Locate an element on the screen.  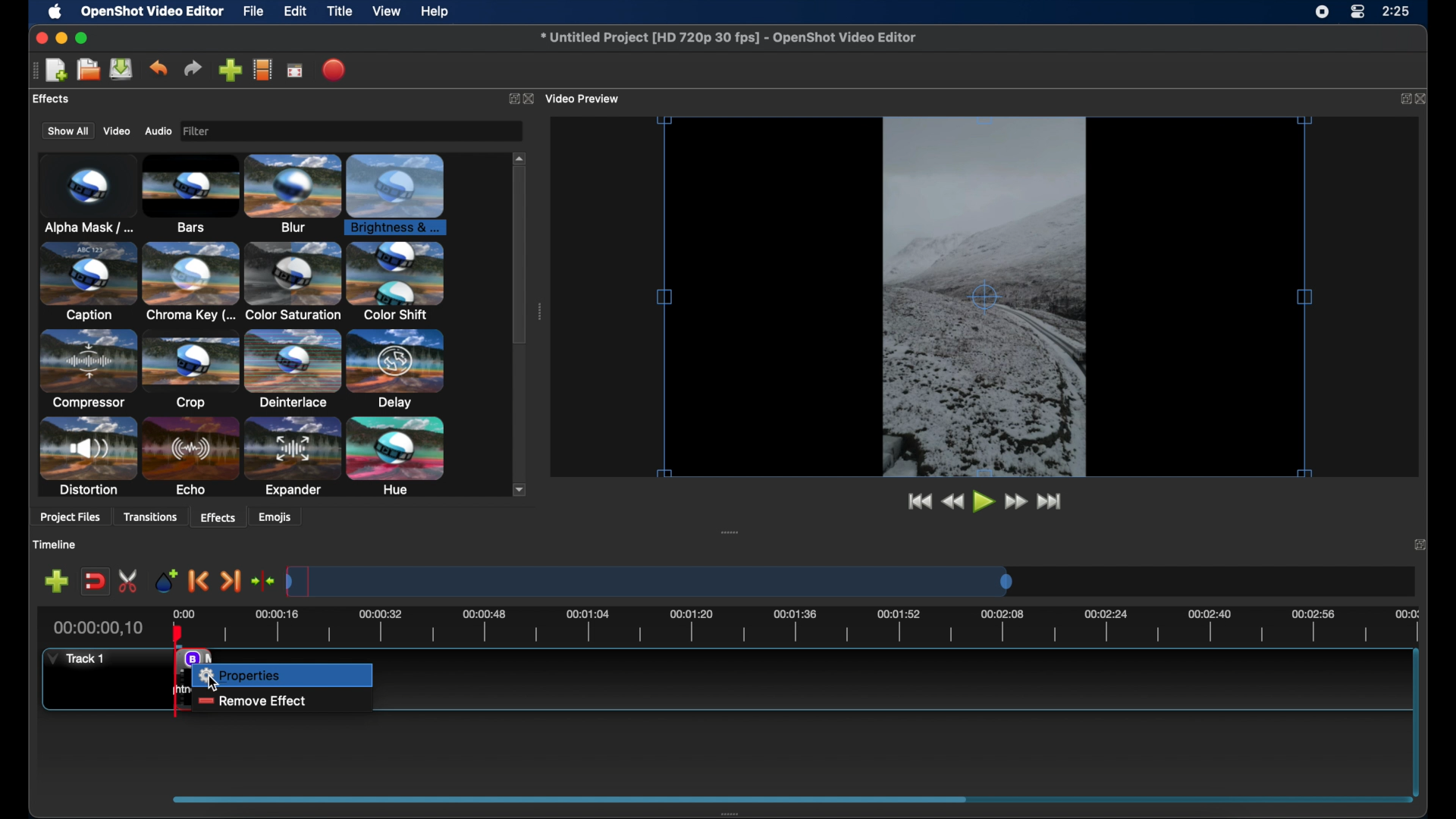
effects is located at coordinates (218, 516).